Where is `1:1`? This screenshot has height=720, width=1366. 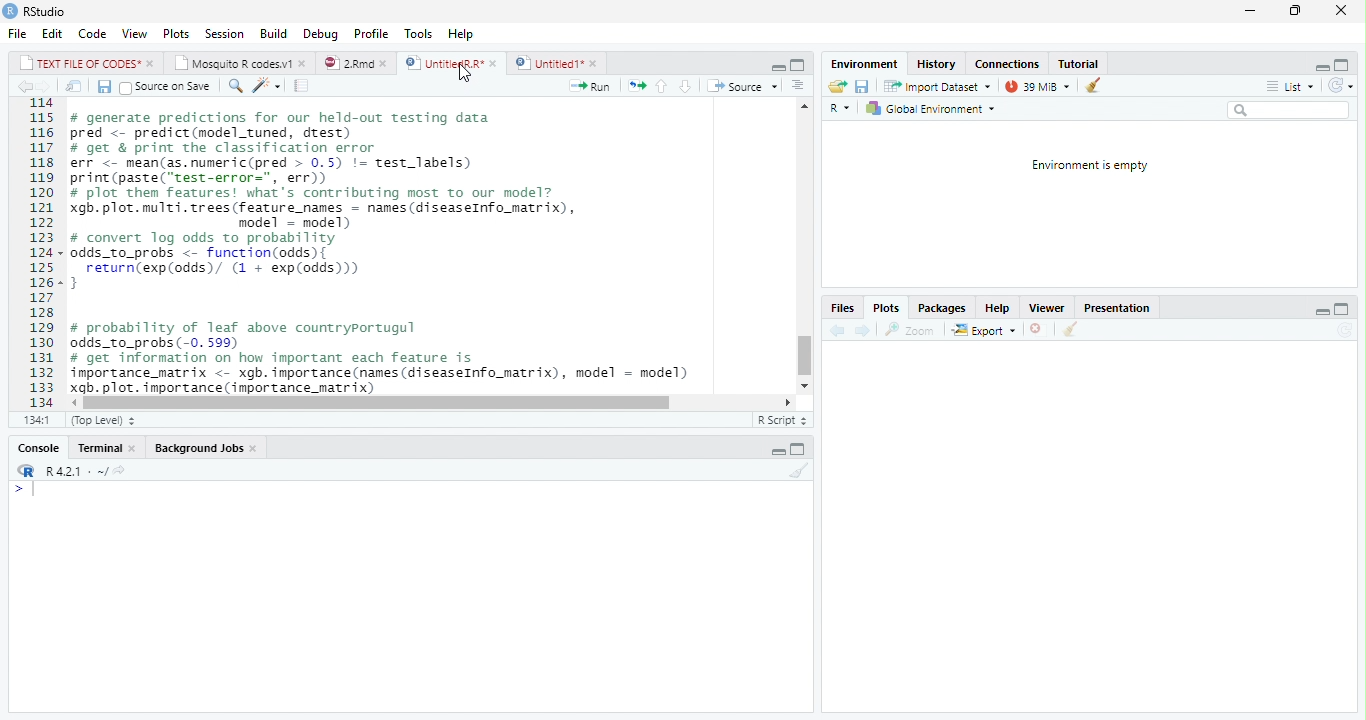 1:1 is located at coordinates (38, 419).